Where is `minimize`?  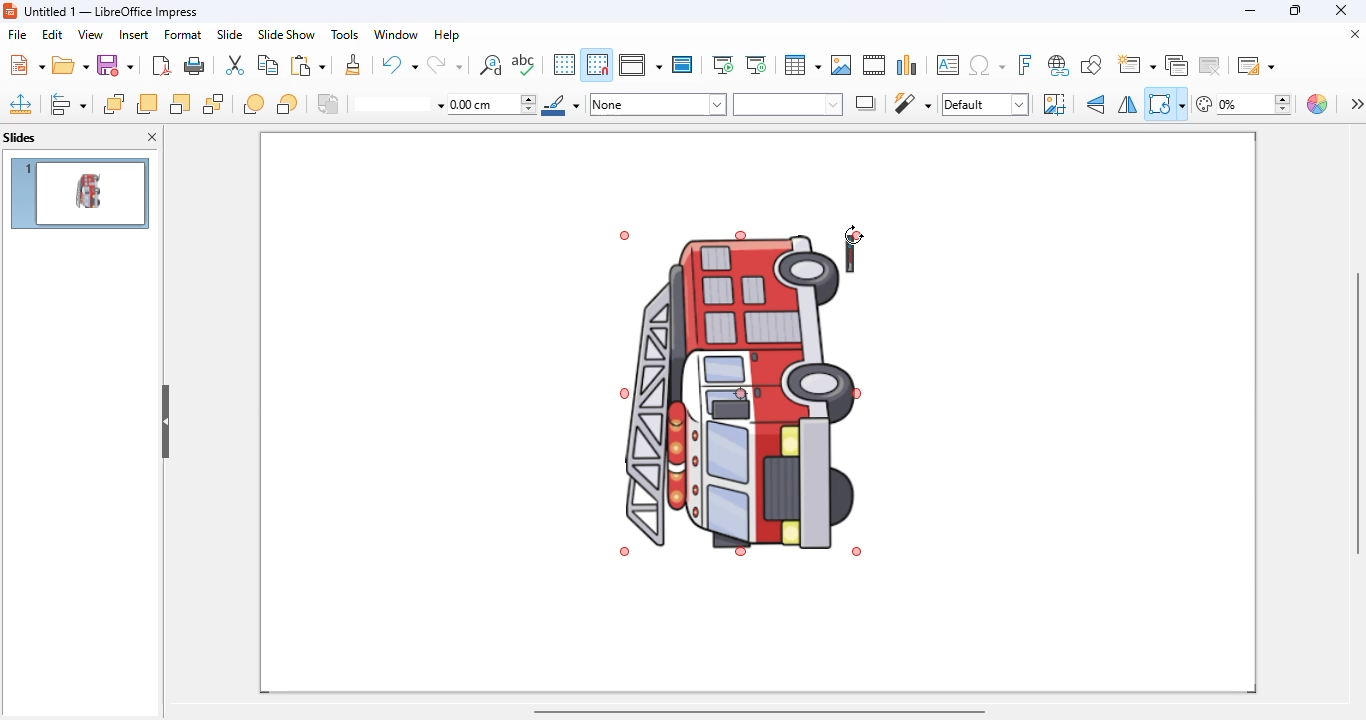 minimize is located at coordinates (1251, 10).